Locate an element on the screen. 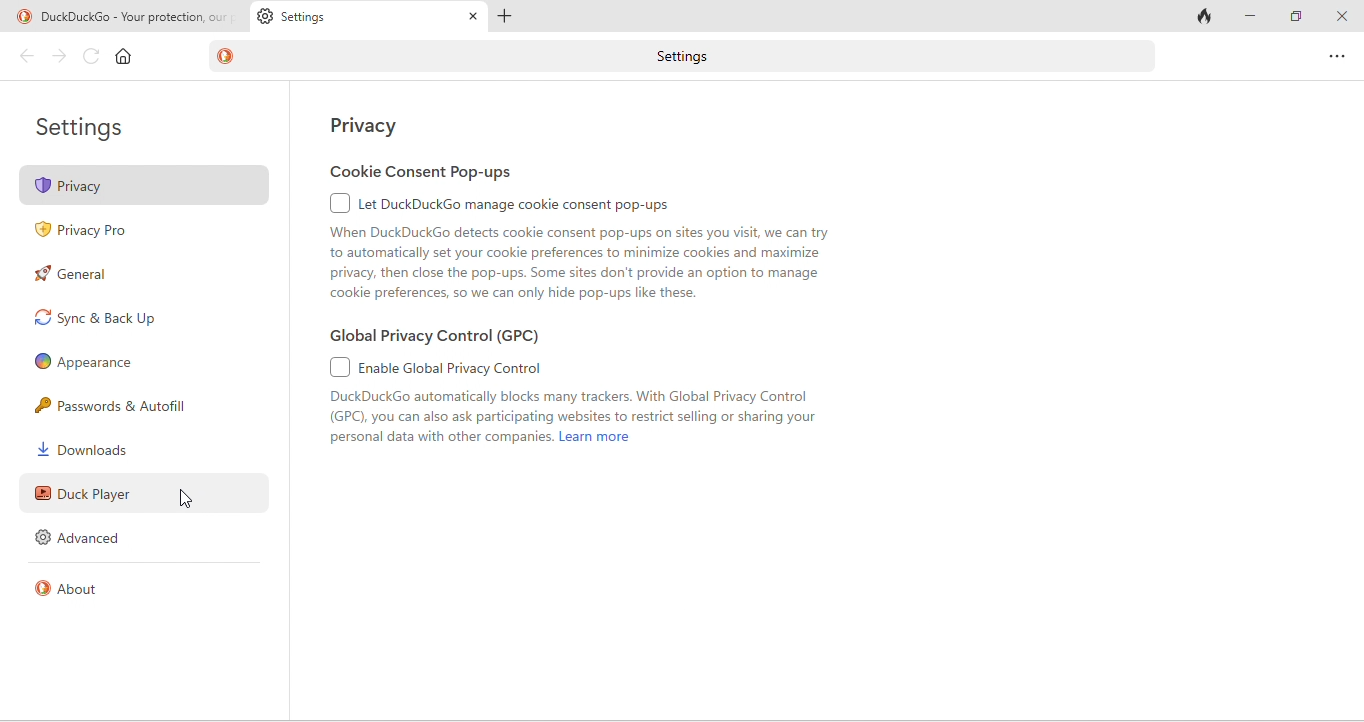 This screenshot has width=1364, height=722. DuckDuckGo - Your protection is located at coordinates (131, 17).